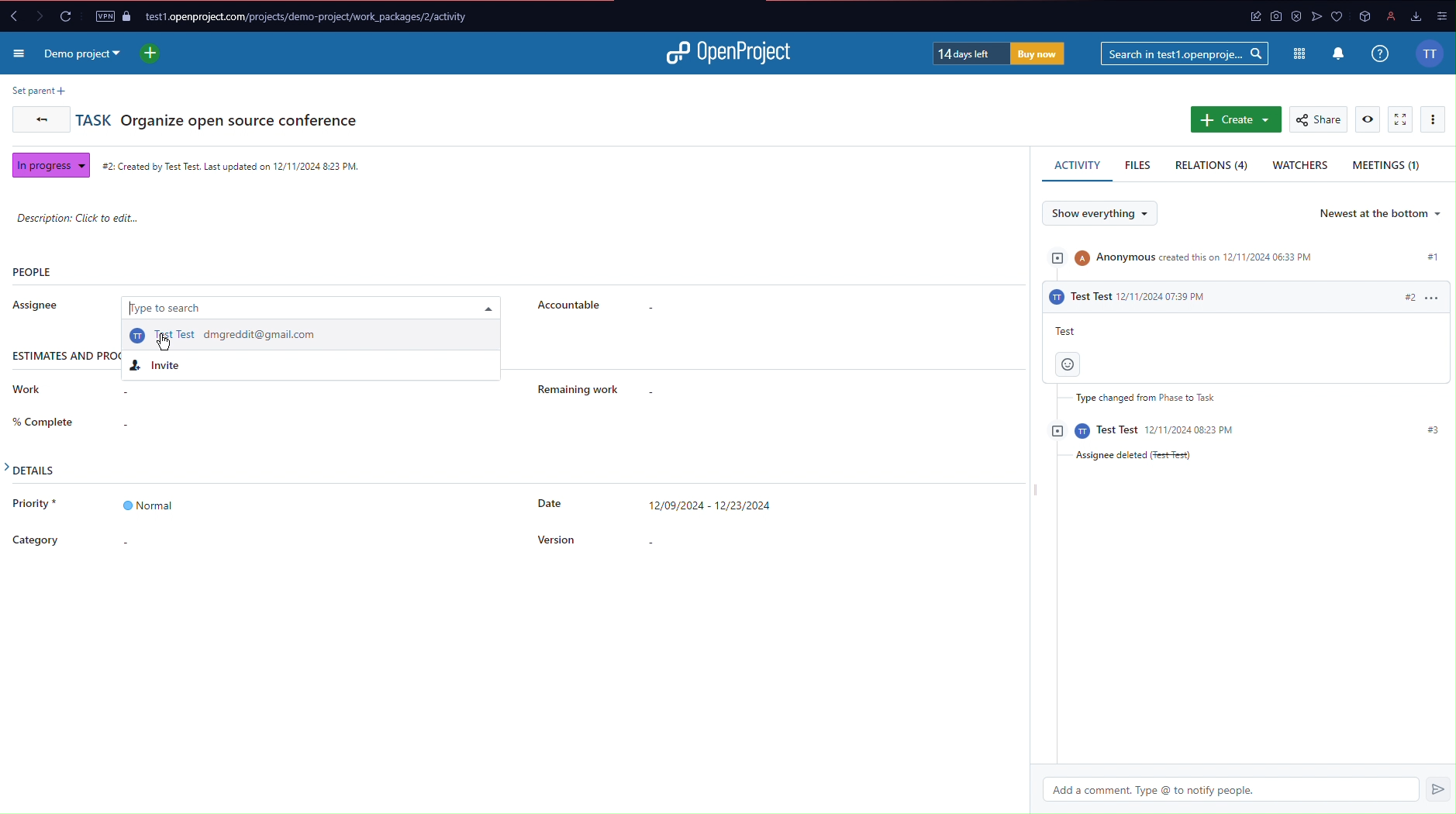 Image resolution: width=1456 pixels, height=814 pixels. What do you see at coordinates (1393, 167) in the screenshot?
I see `Meetings` at bounding box center [1393, 167].